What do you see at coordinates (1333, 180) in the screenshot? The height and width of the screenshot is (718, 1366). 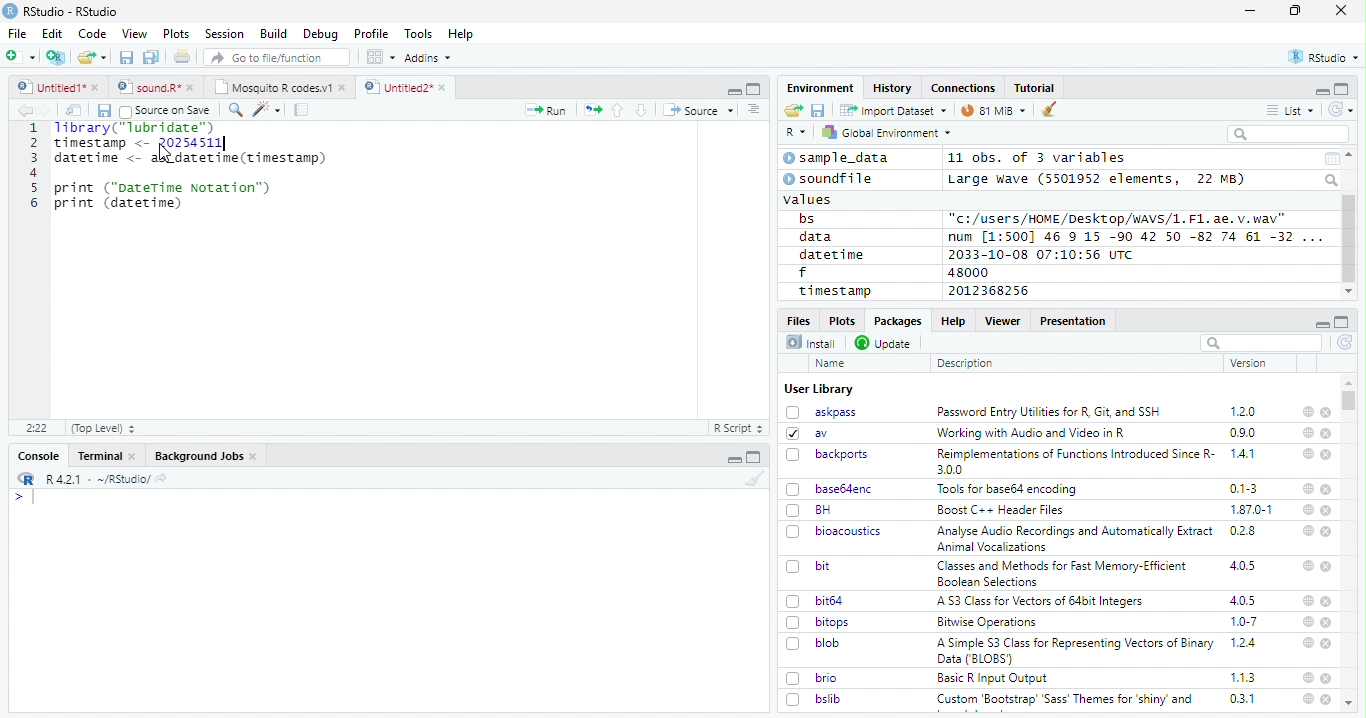 I see `Search` at bounding box center [1333, 180].